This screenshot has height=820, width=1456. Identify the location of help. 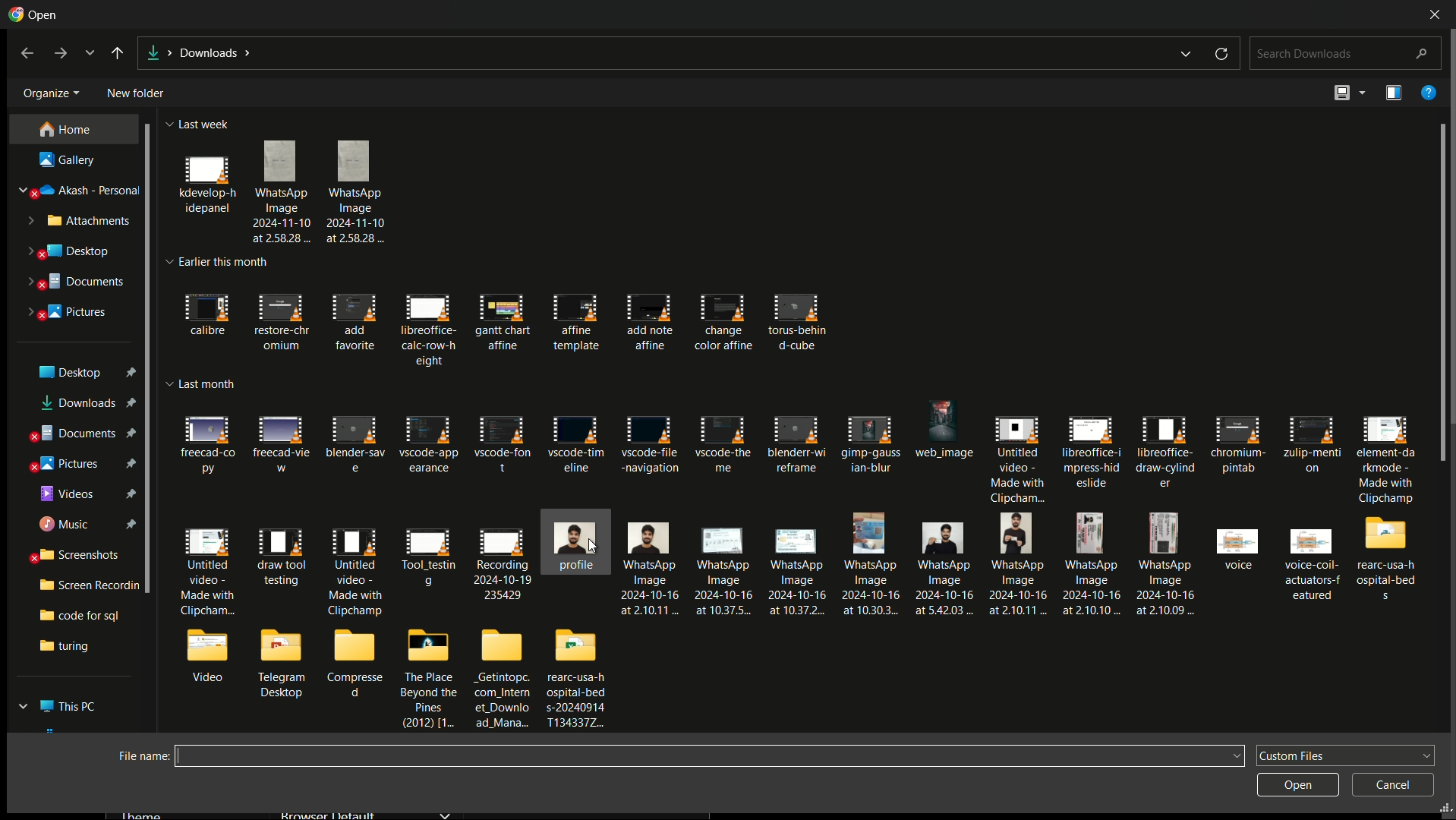
(1428, 93).